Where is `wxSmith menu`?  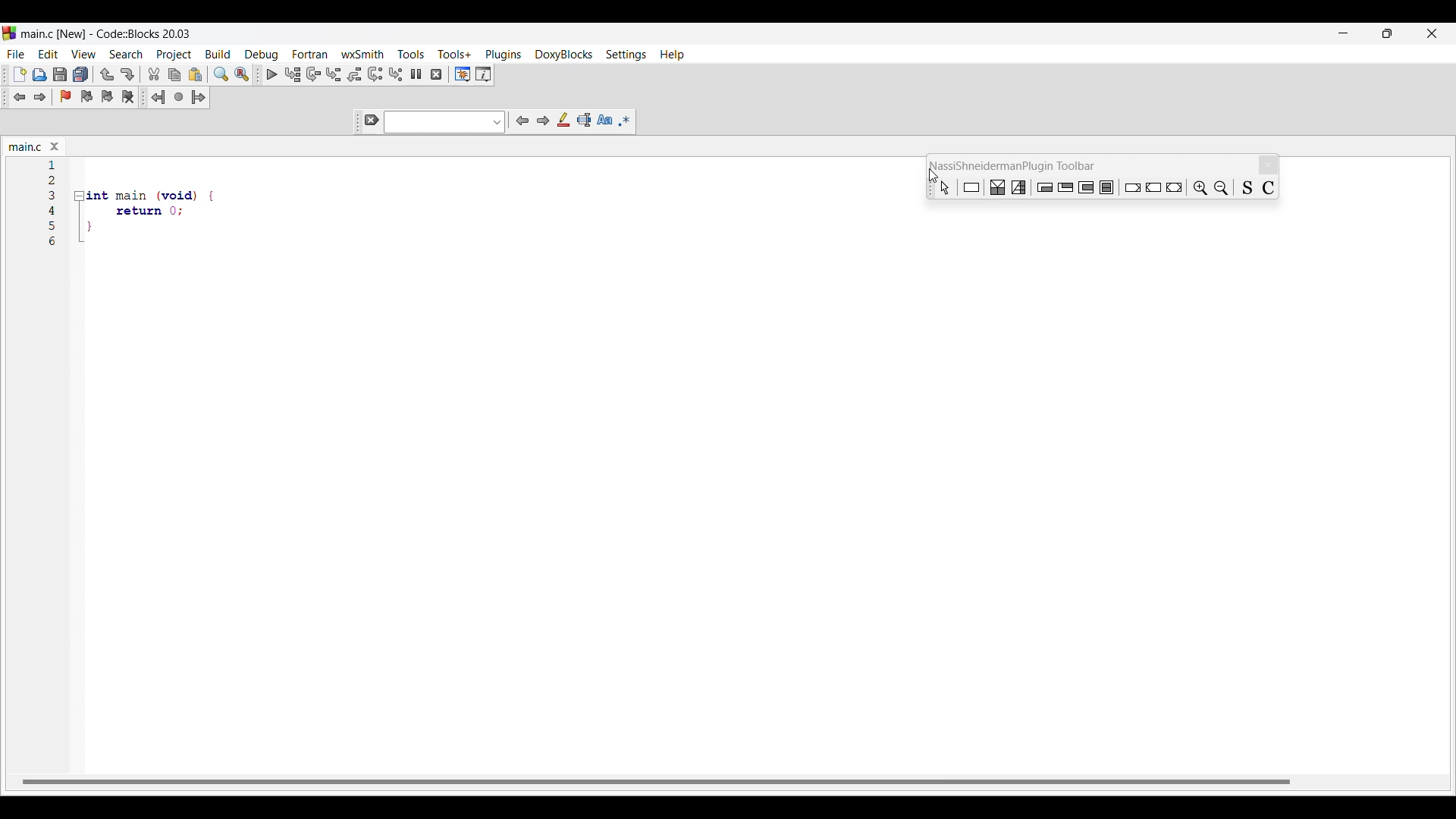 wxSmith menu is located at coordinates (362, 54).